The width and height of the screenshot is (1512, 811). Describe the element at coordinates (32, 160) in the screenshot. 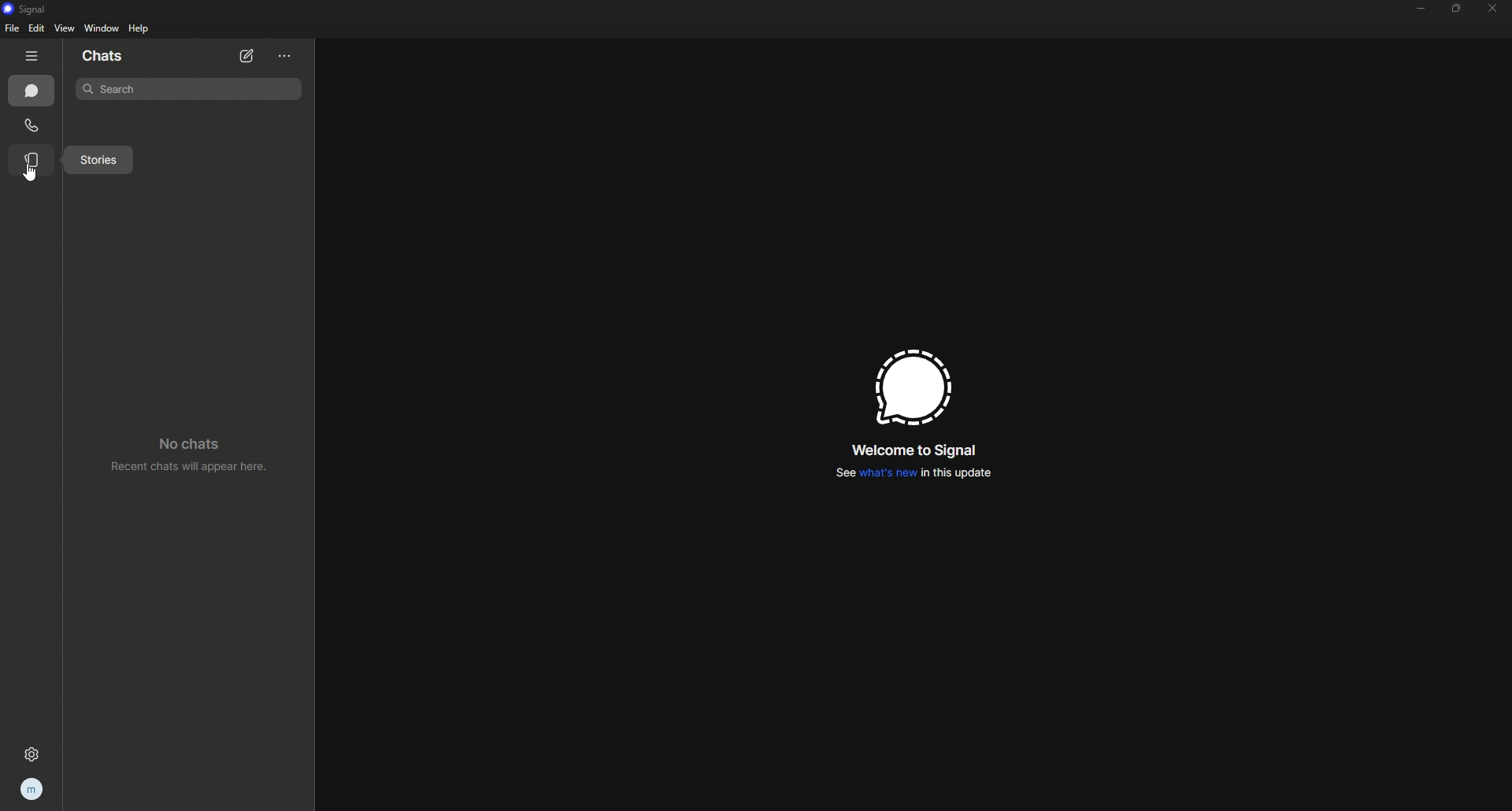

I see `stories` at that location.